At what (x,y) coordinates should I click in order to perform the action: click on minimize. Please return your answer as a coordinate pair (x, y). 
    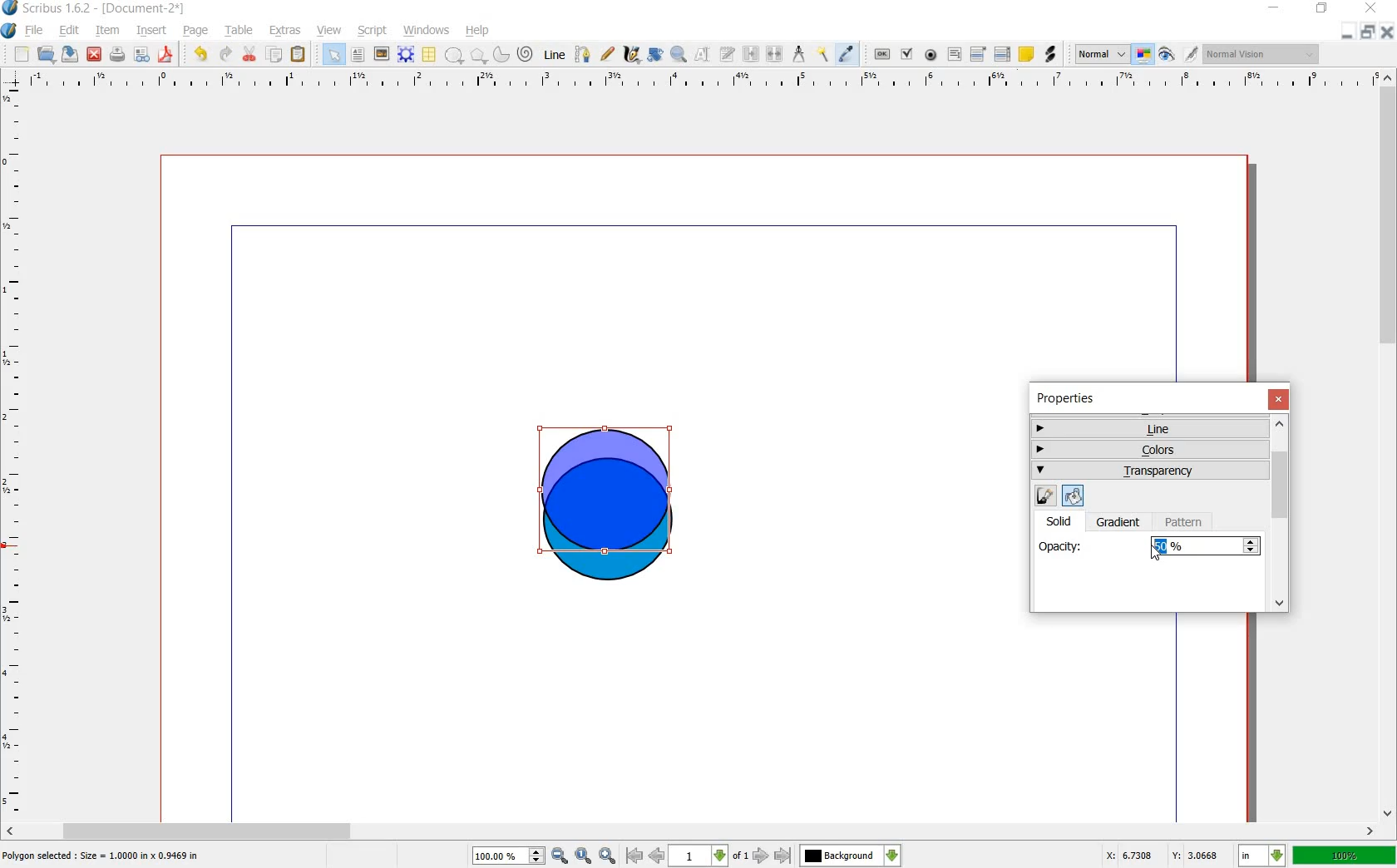
    Looking at the image, I should click on (1274, 7).